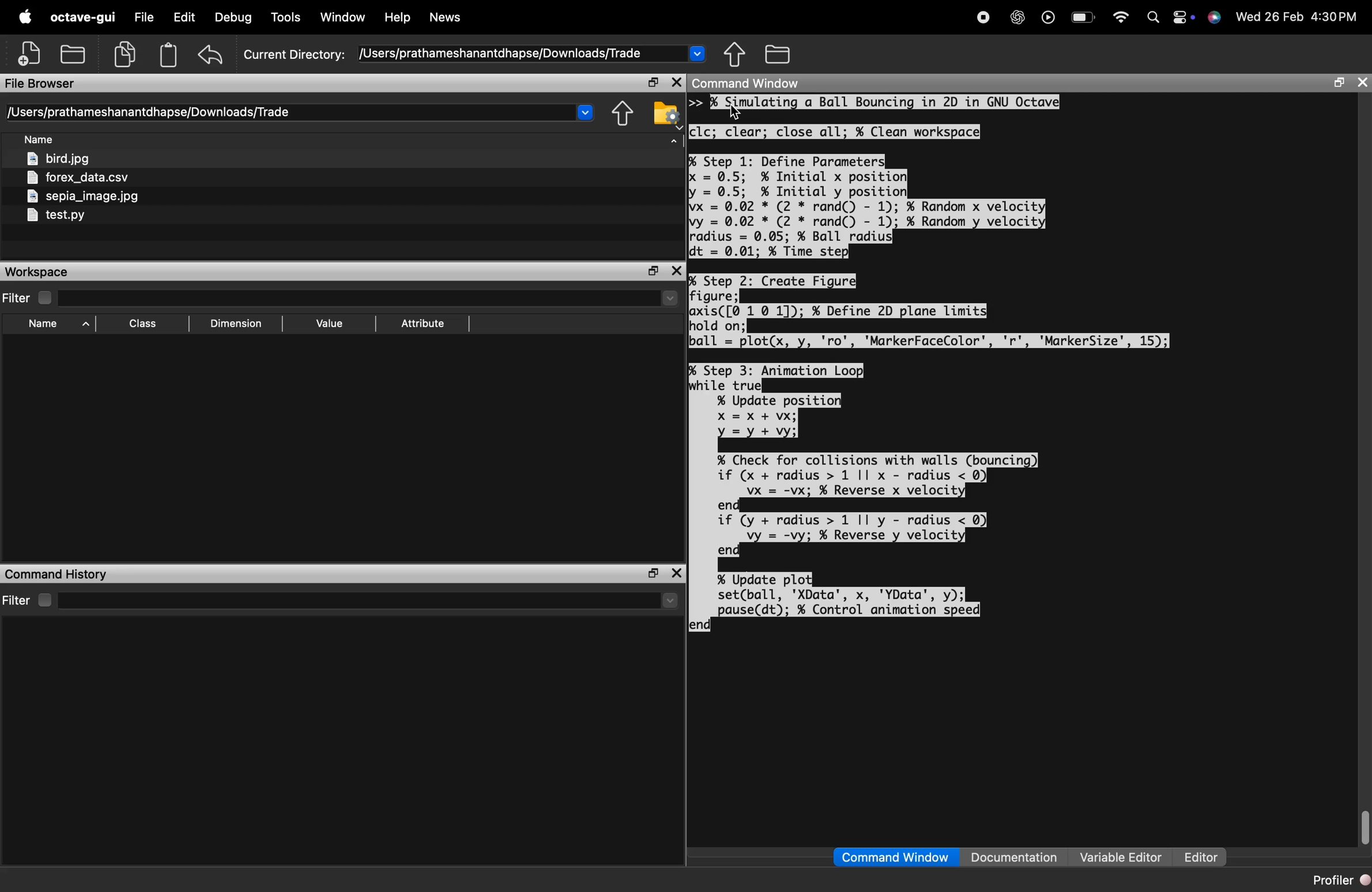  I want to click on /Users/prathameshanantdhapse/Downloads/Trade, so click(504, 53).